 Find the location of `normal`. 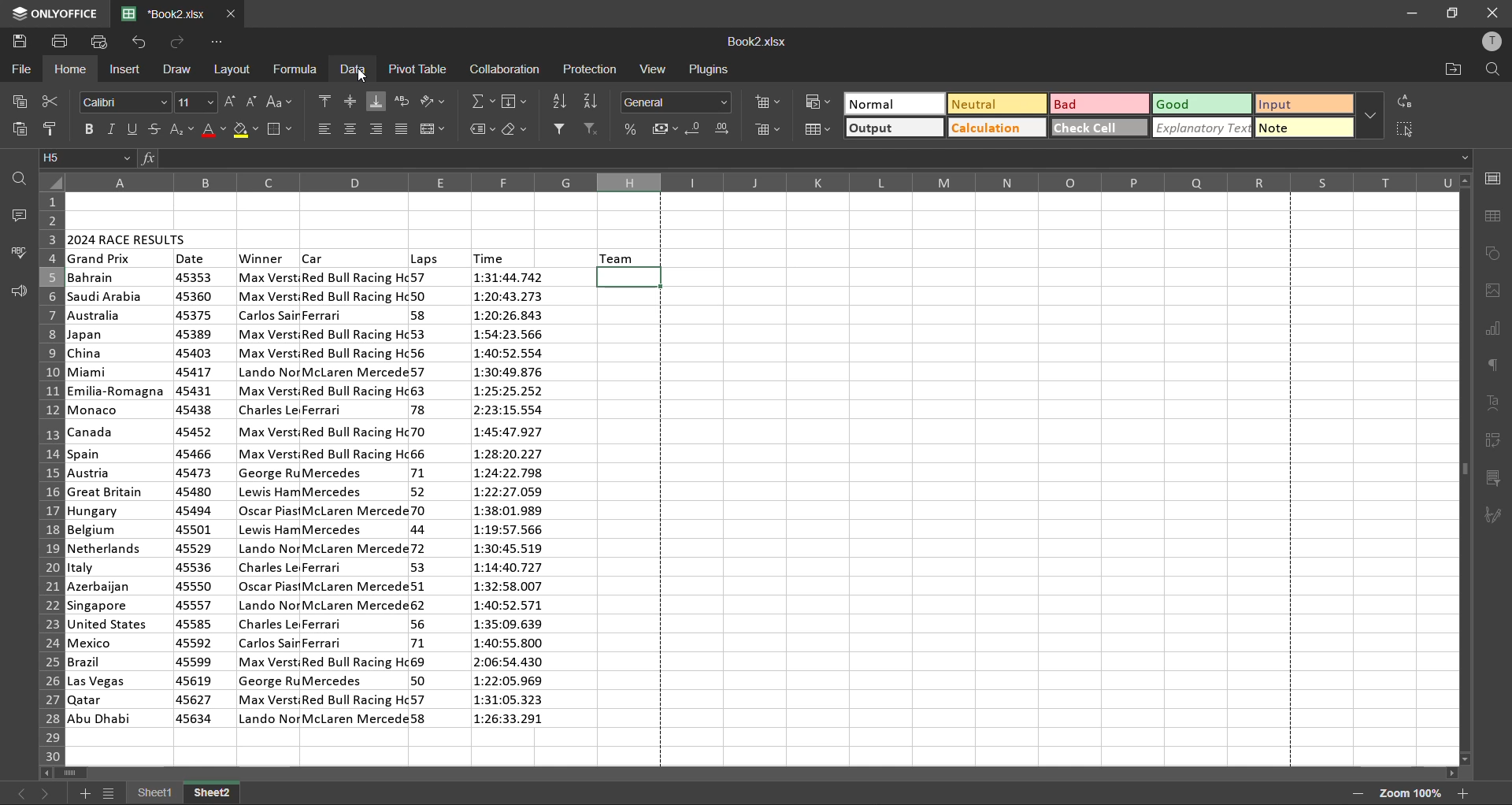

normal is located at coordinates (895, 105).